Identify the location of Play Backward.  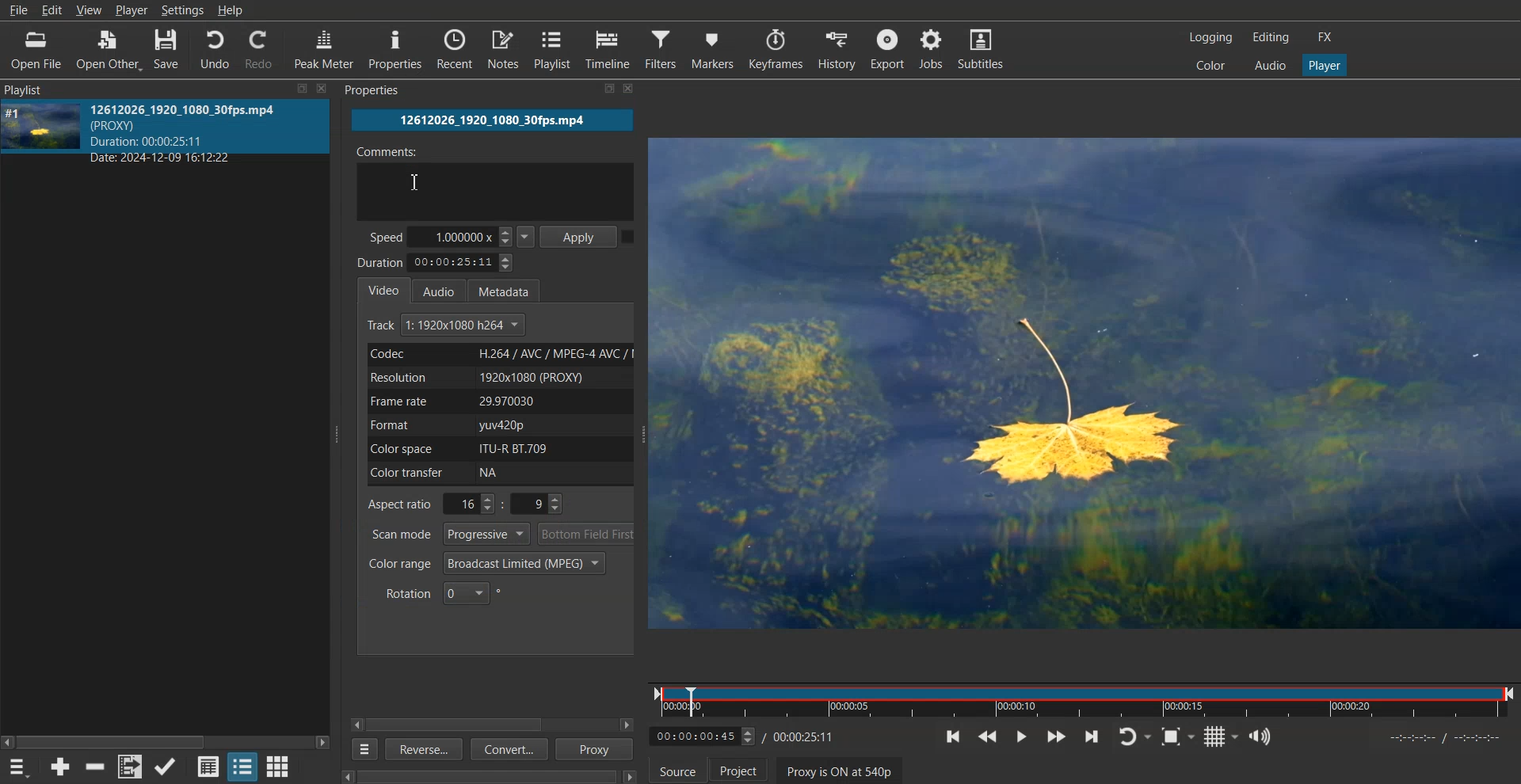
(987, 736).